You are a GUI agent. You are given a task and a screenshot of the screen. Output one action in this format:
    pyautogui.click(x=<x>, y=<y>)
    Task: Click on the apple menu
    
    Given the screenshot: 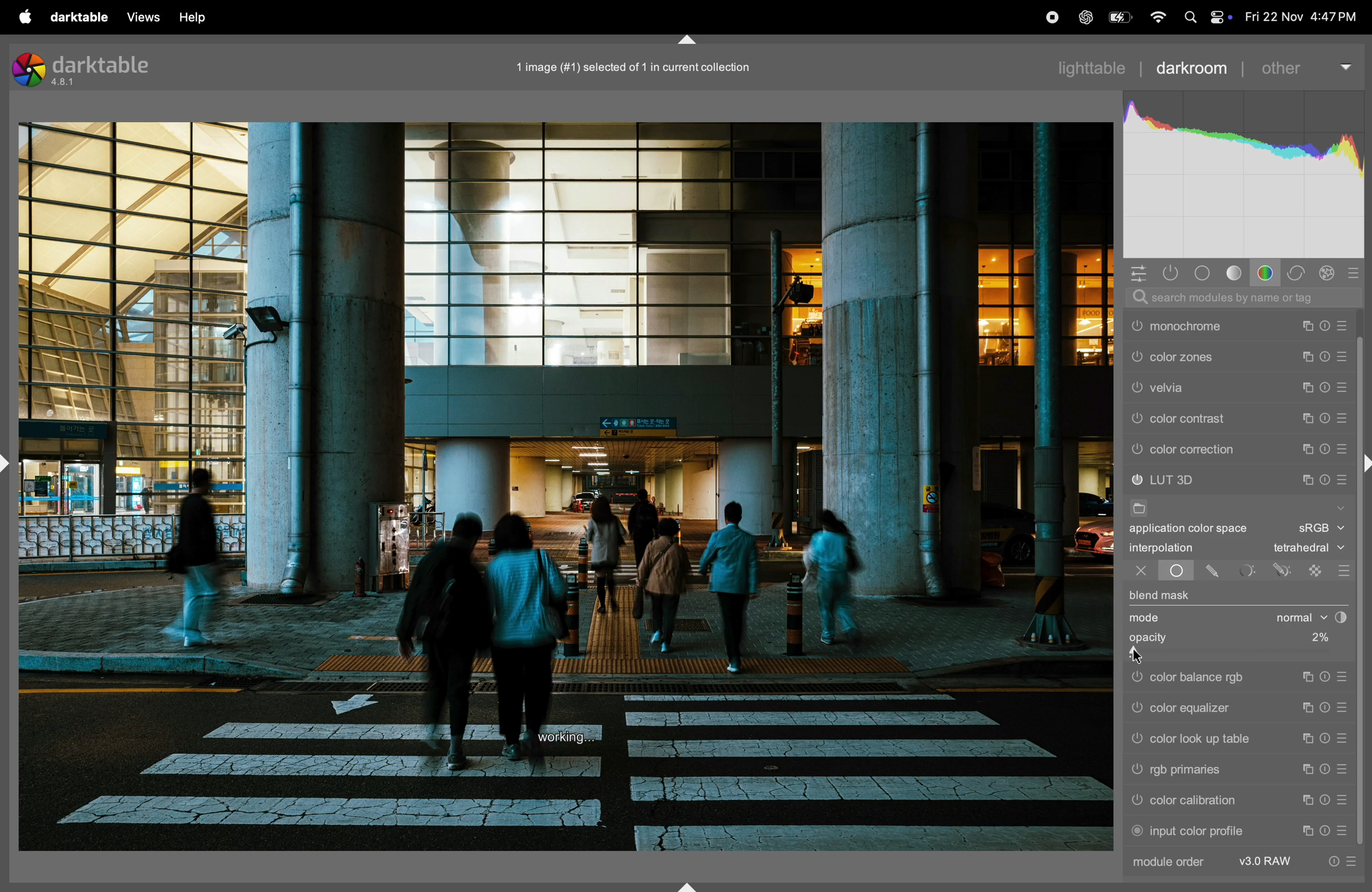 What is the action you would take?
    pyautogui.click(x=25, y=16)
    